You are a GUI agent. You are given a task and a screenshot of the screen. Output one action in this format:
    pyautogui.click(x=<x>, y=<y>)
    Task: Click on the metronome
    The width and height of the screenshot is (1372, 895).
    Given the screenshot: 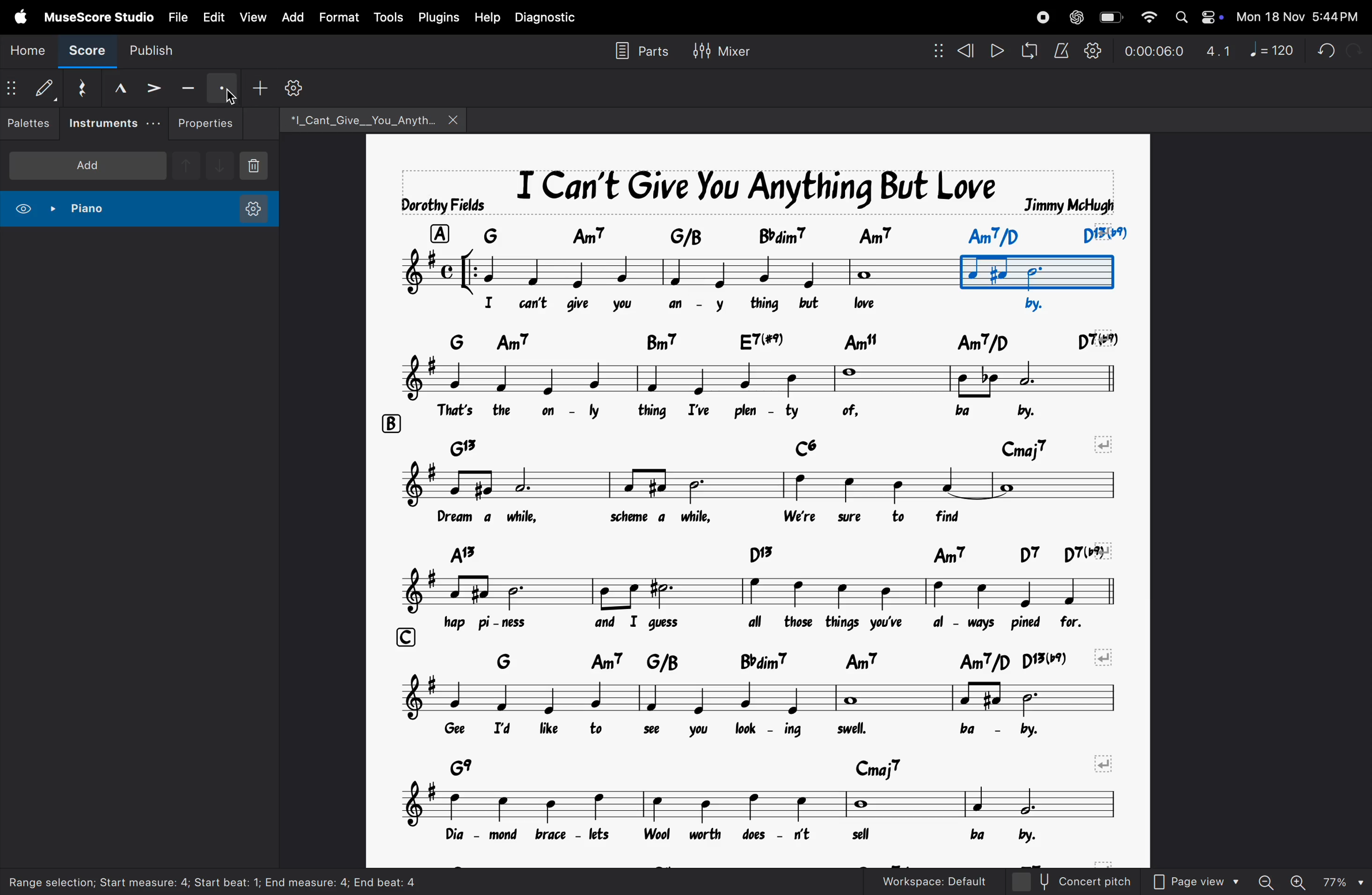 What is the action you would take?
    pyautogui.click(x=1061, y=50)
    